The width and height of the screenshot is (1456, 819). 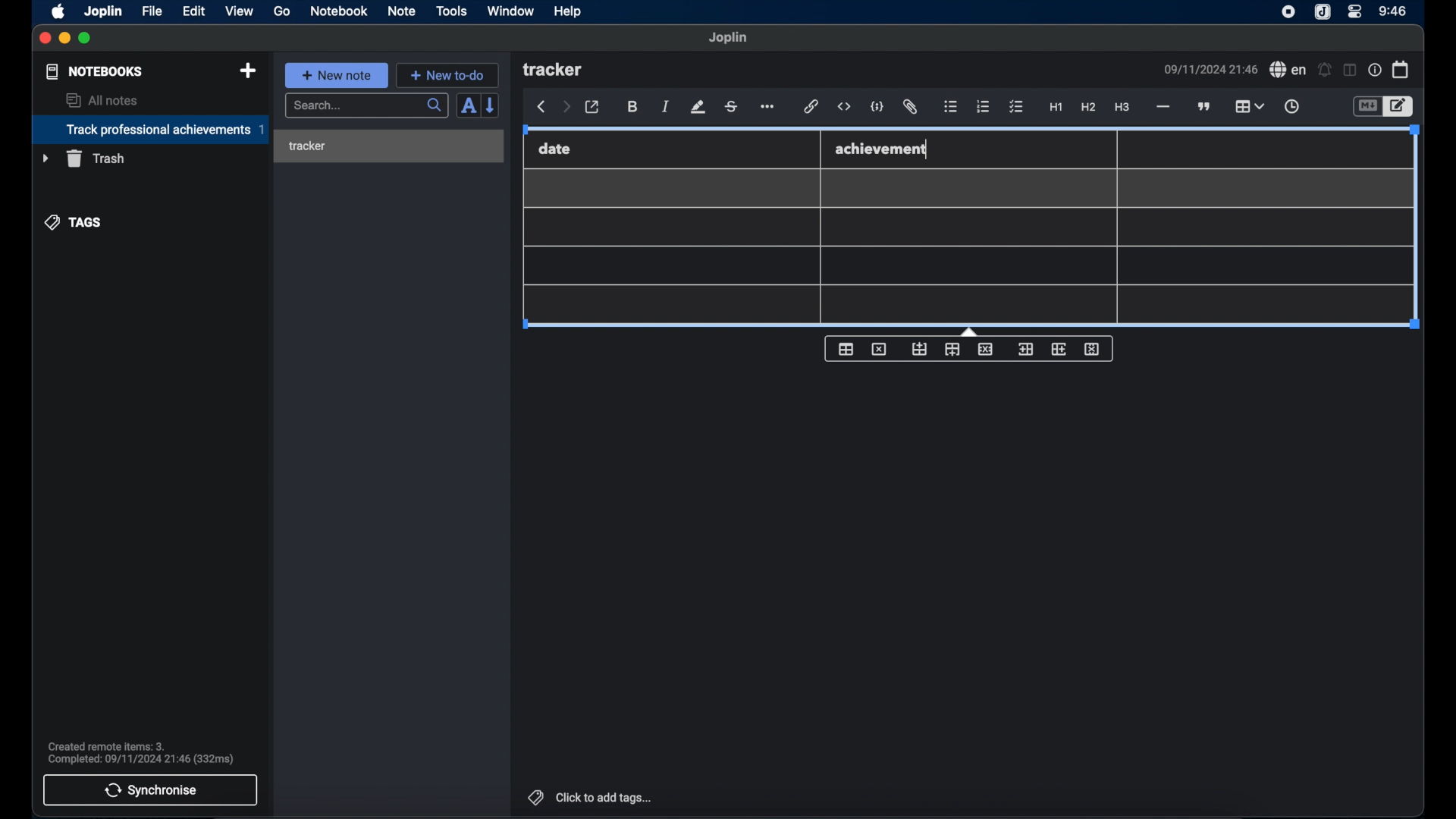 I want to click on go, so click(x=283, y=11).